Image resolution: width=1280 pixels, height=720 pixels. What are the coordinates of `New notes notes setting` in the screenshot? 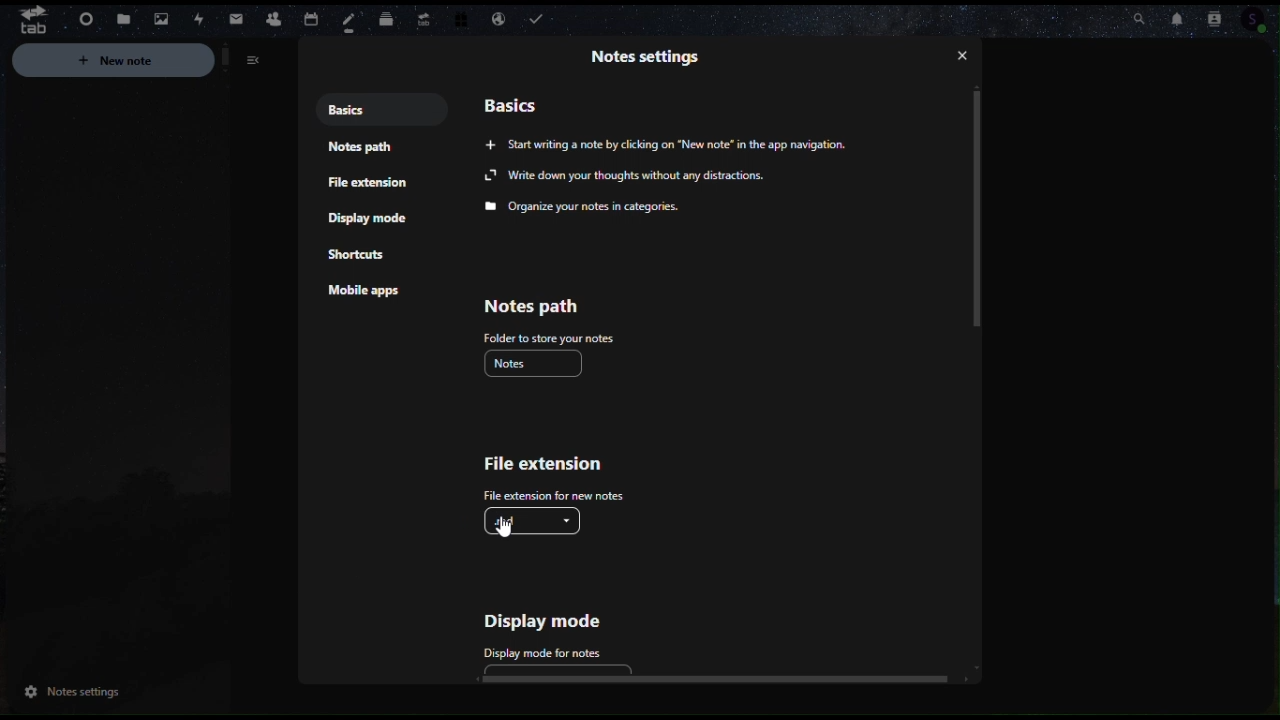 It's located at (144, 63).